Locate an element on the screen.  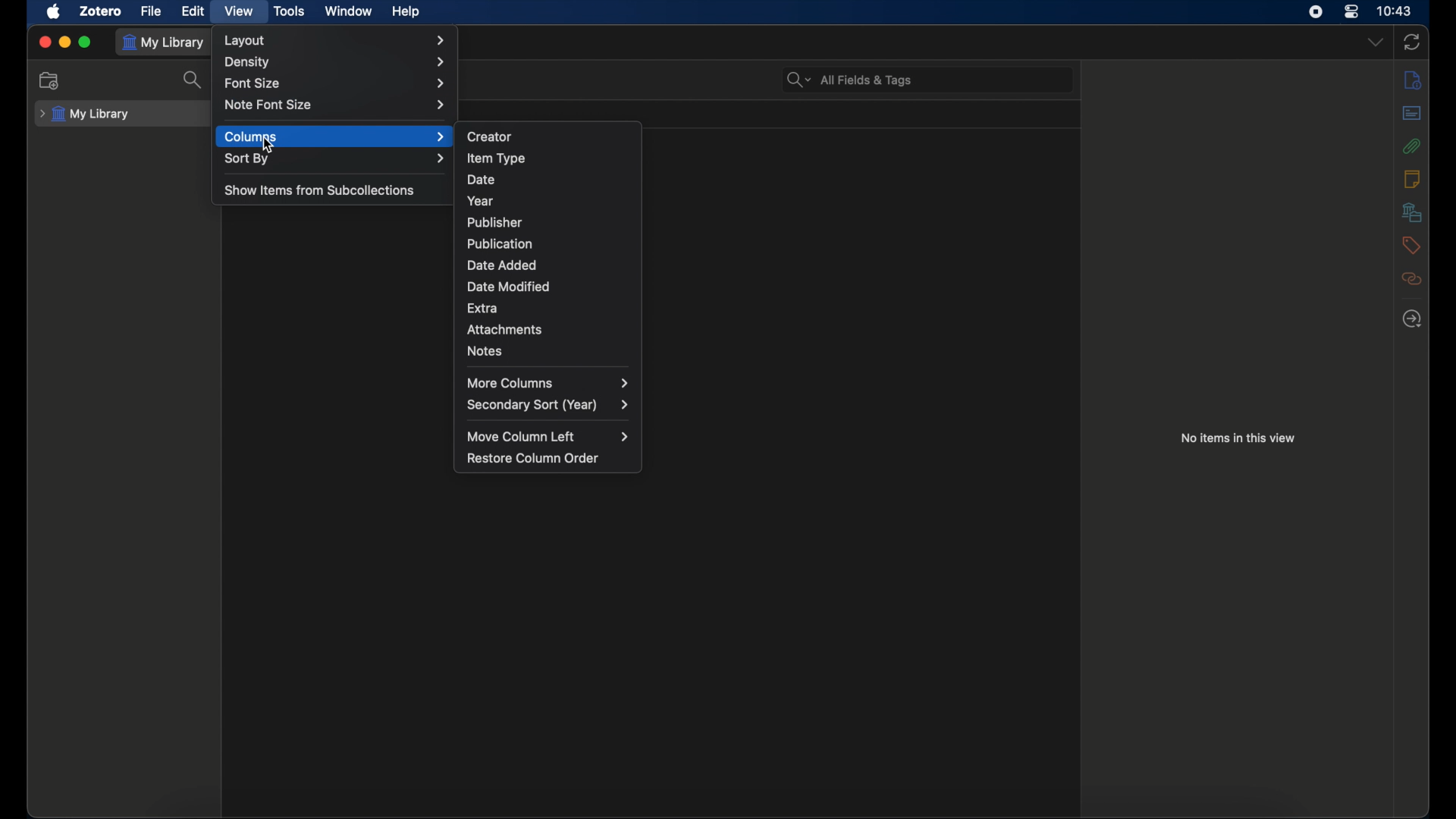
maximize is located at coordinates (86, 42).